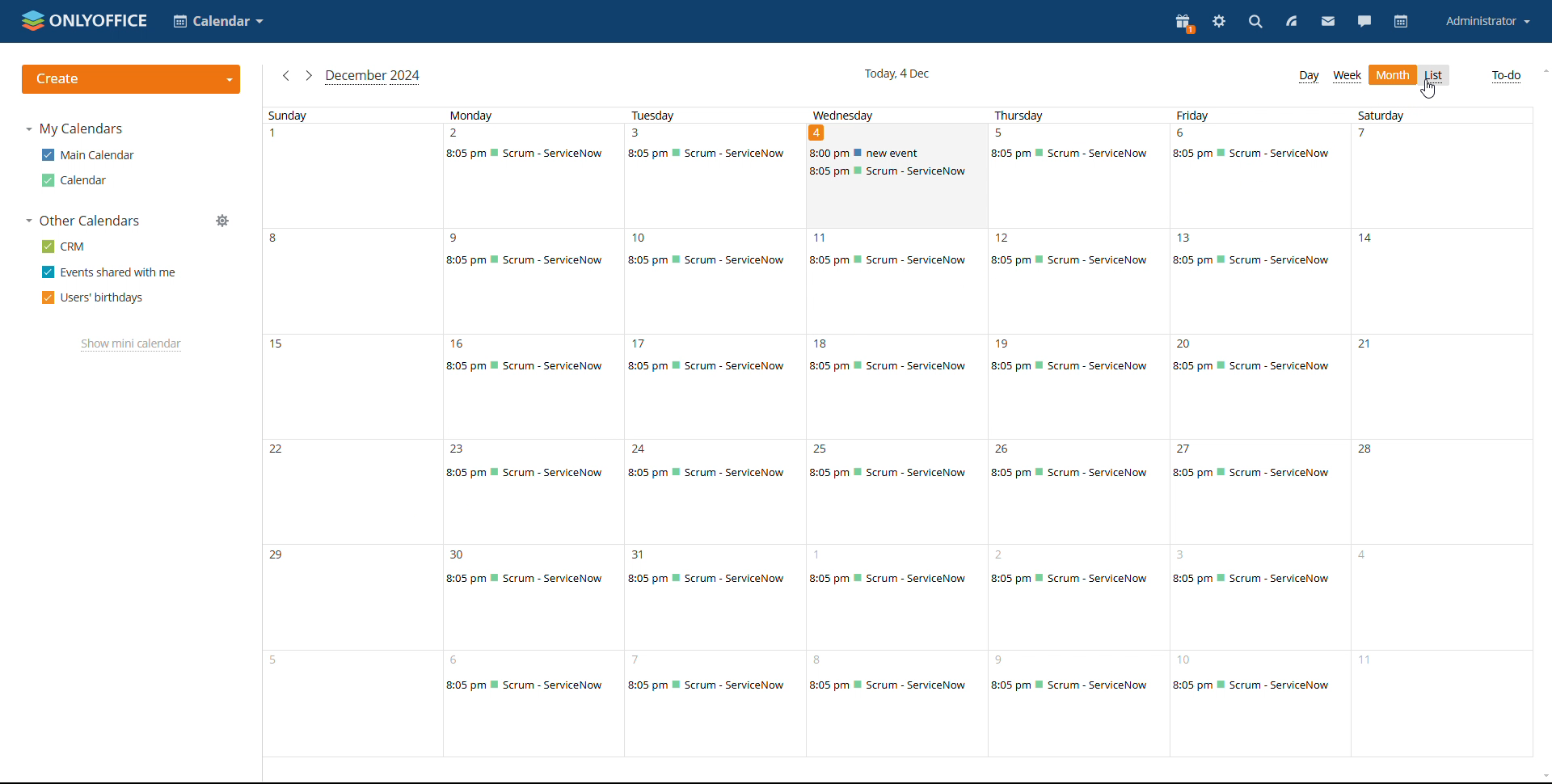 This screenshot has width=1552, height=784. What do you see at coordinates (678, 236) in the screenshot?
I see `dates` at bounding box center [678, 236].